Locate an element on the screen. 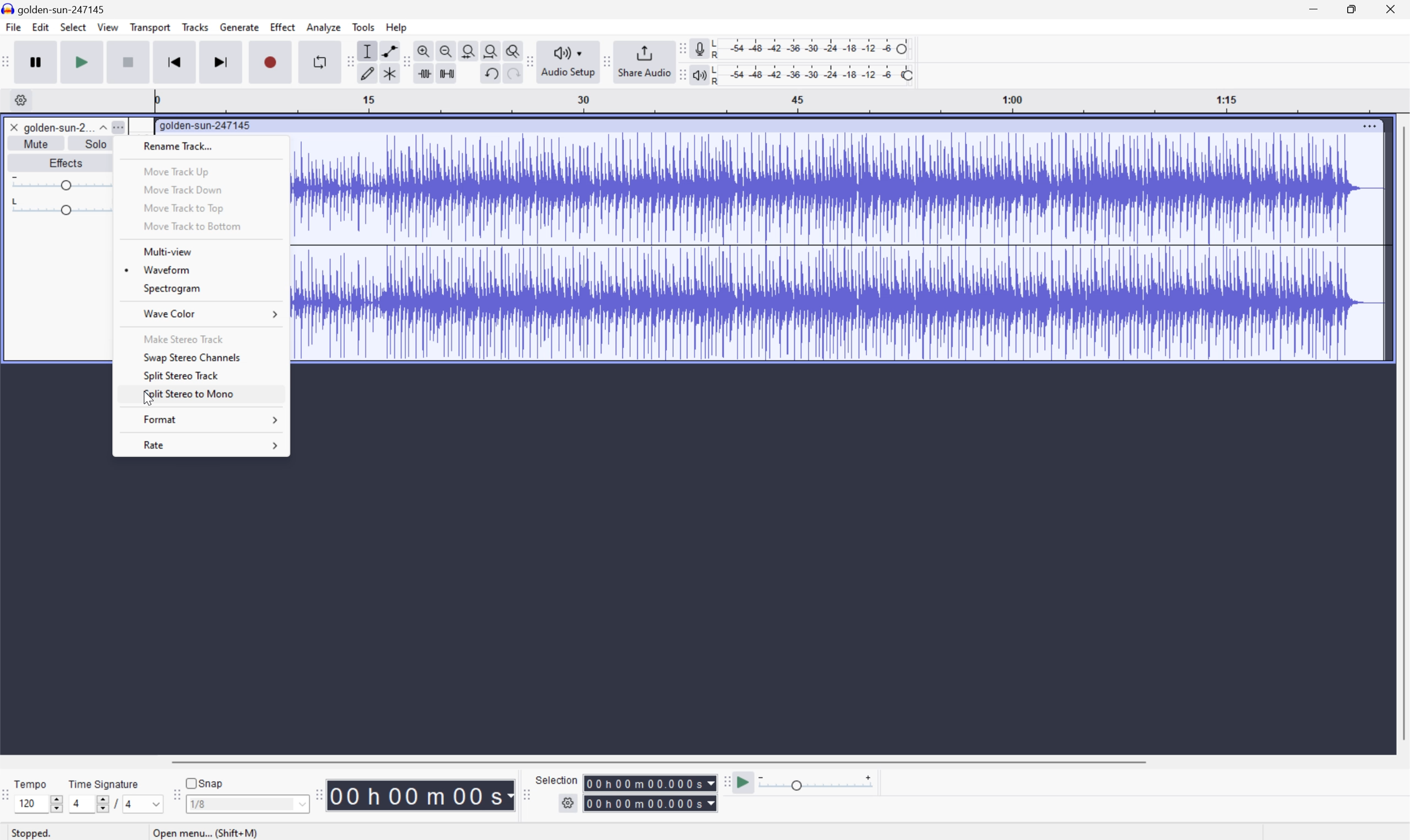 The width and height of the screenshot is (1410, 840). 120 is located at coordinates (30, 805).